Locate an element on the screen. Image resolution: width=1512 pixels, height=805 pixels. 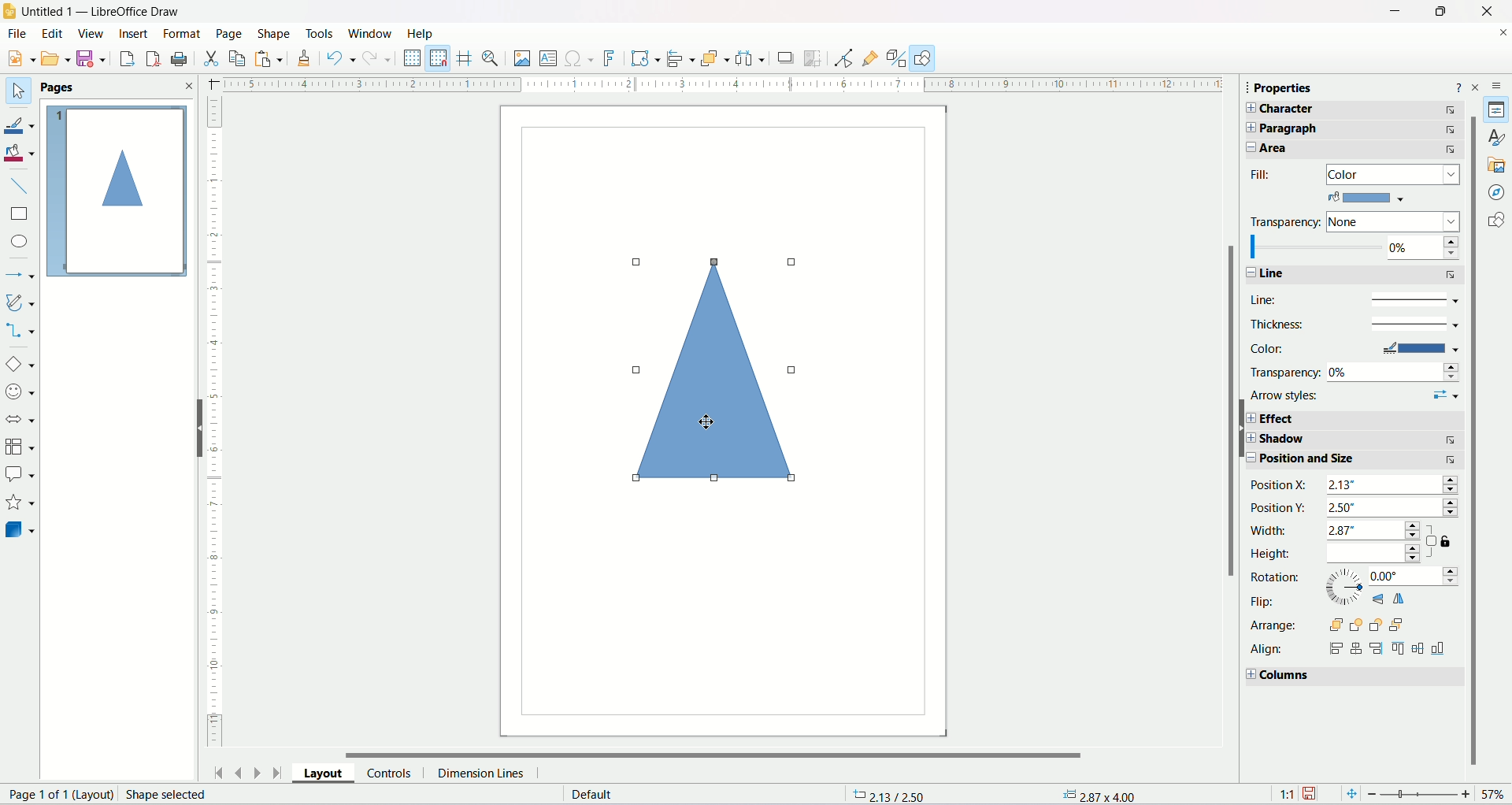
thickness is located at coordinates (1352, 325).